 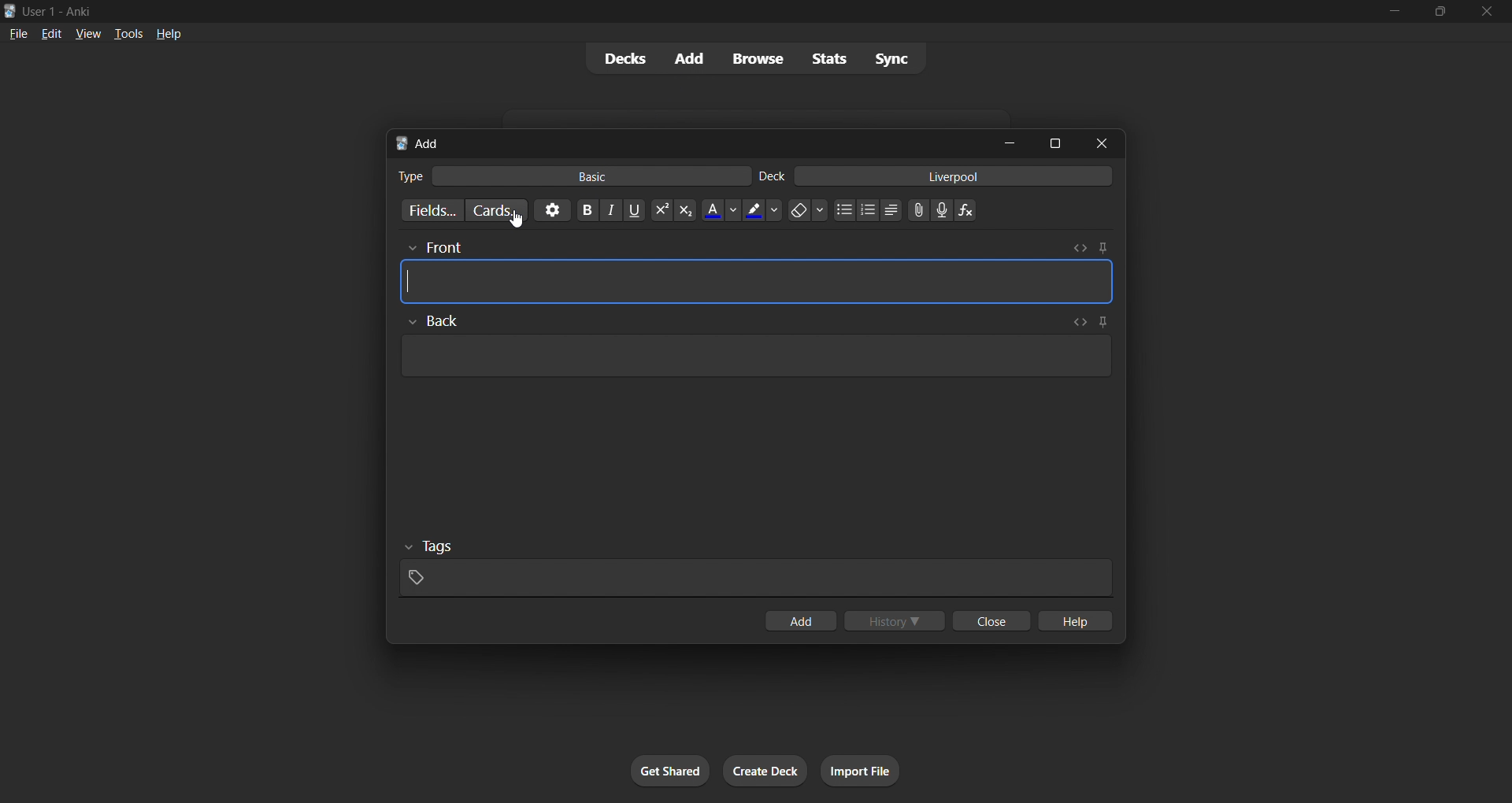 What do you see at coordinates (498, 210) in the screenshot?
I see `customize card templates` at bounding box center [498, 210].